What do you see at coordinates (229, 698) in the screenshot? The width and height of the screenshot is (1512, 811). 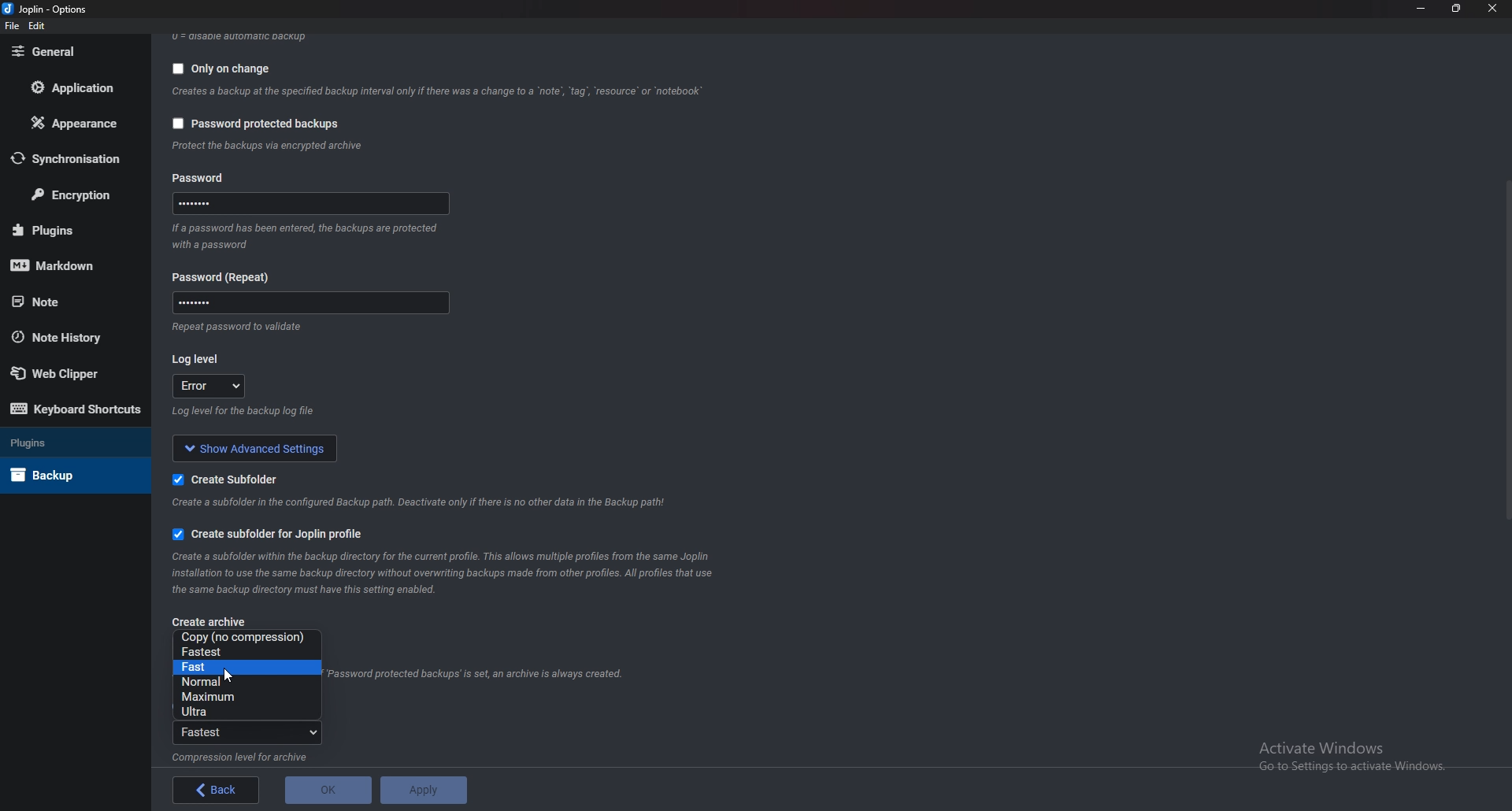 I see `Maximum` at bounding box center [229, 698].